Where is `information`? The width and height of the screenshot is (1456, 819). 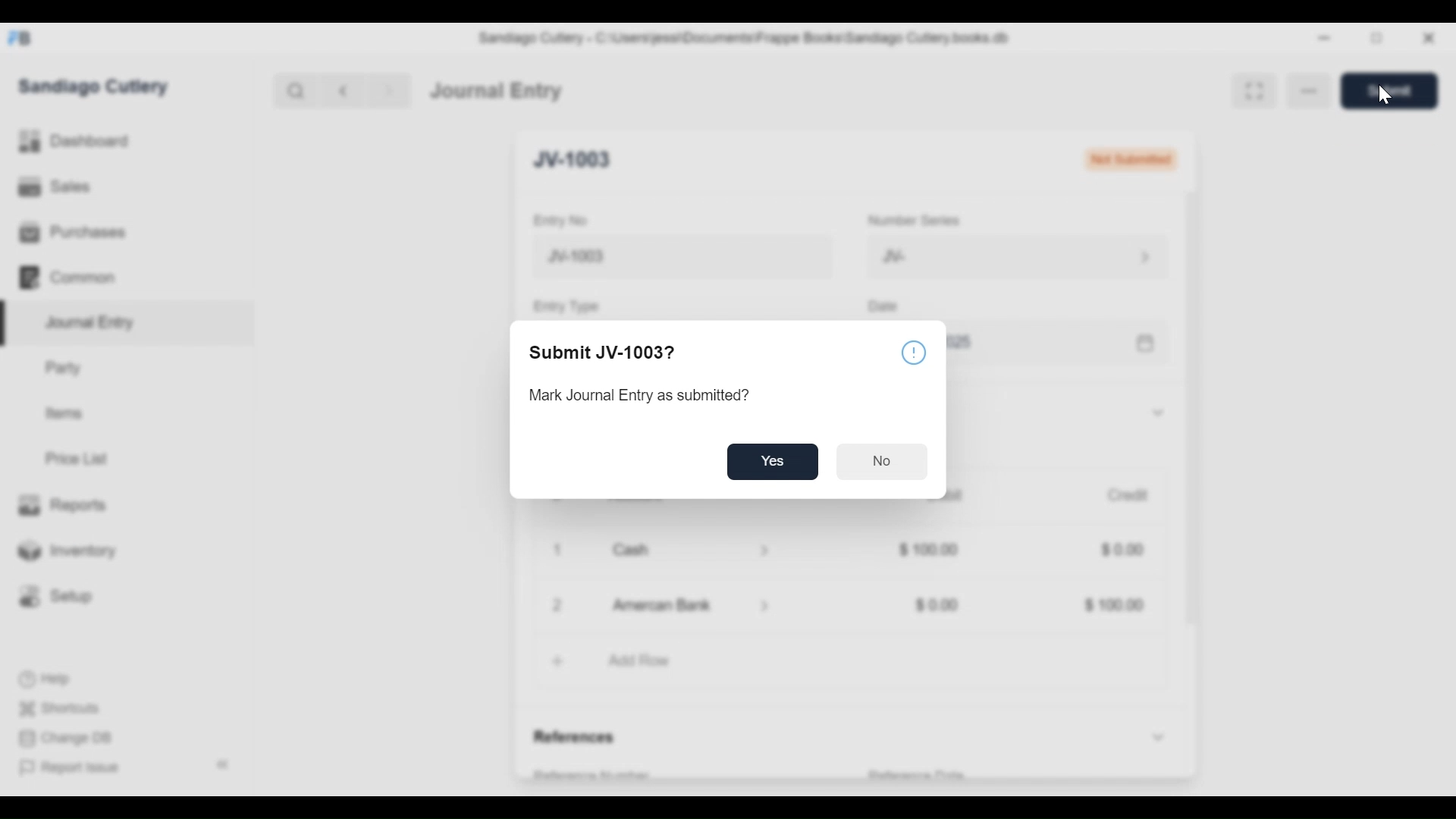 information is located at coordinates (912, 353).